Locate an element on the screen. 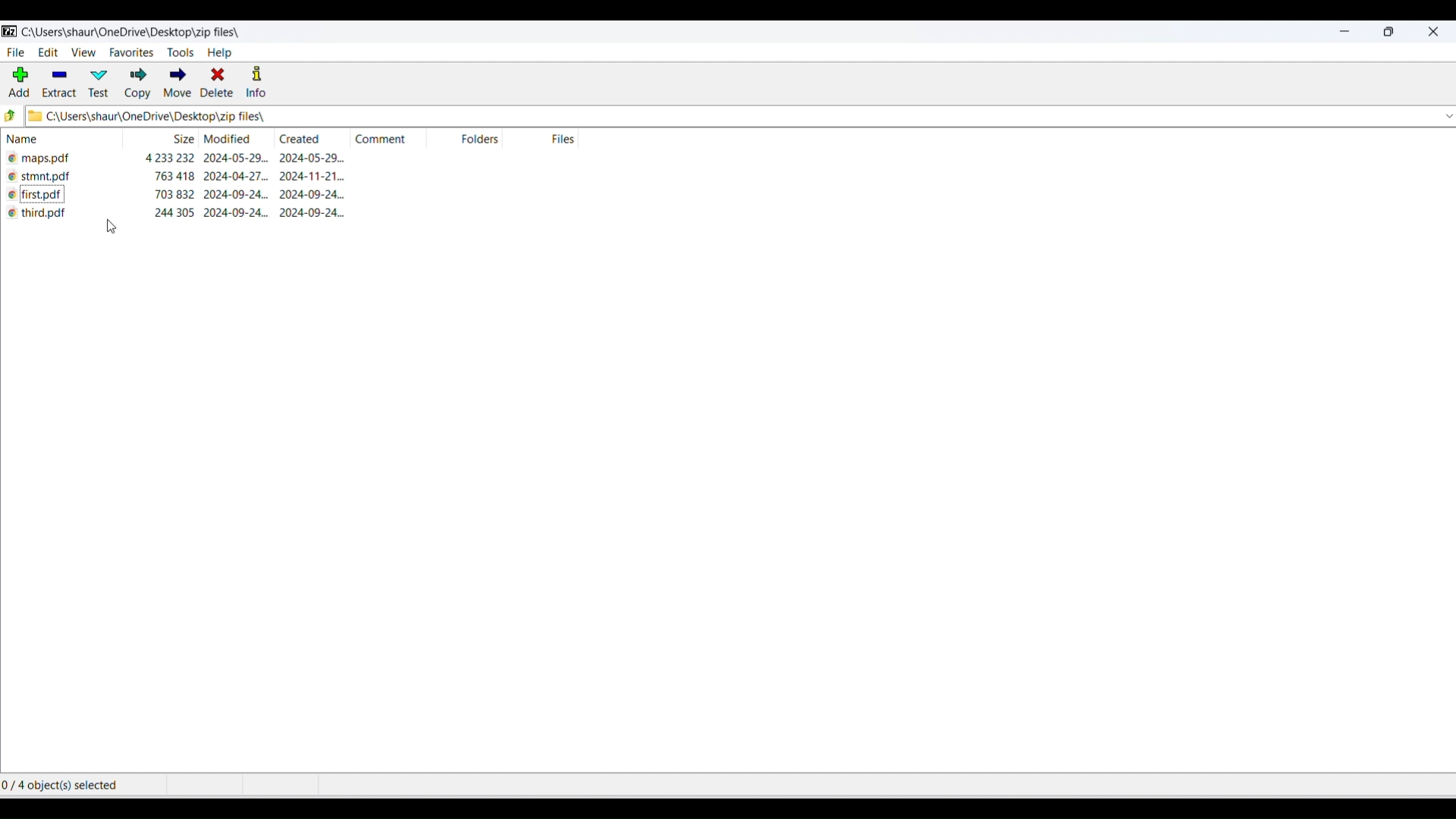 The width and height of the screenshot is (1456, 819). minimize is located at coordinates (1344, 33).